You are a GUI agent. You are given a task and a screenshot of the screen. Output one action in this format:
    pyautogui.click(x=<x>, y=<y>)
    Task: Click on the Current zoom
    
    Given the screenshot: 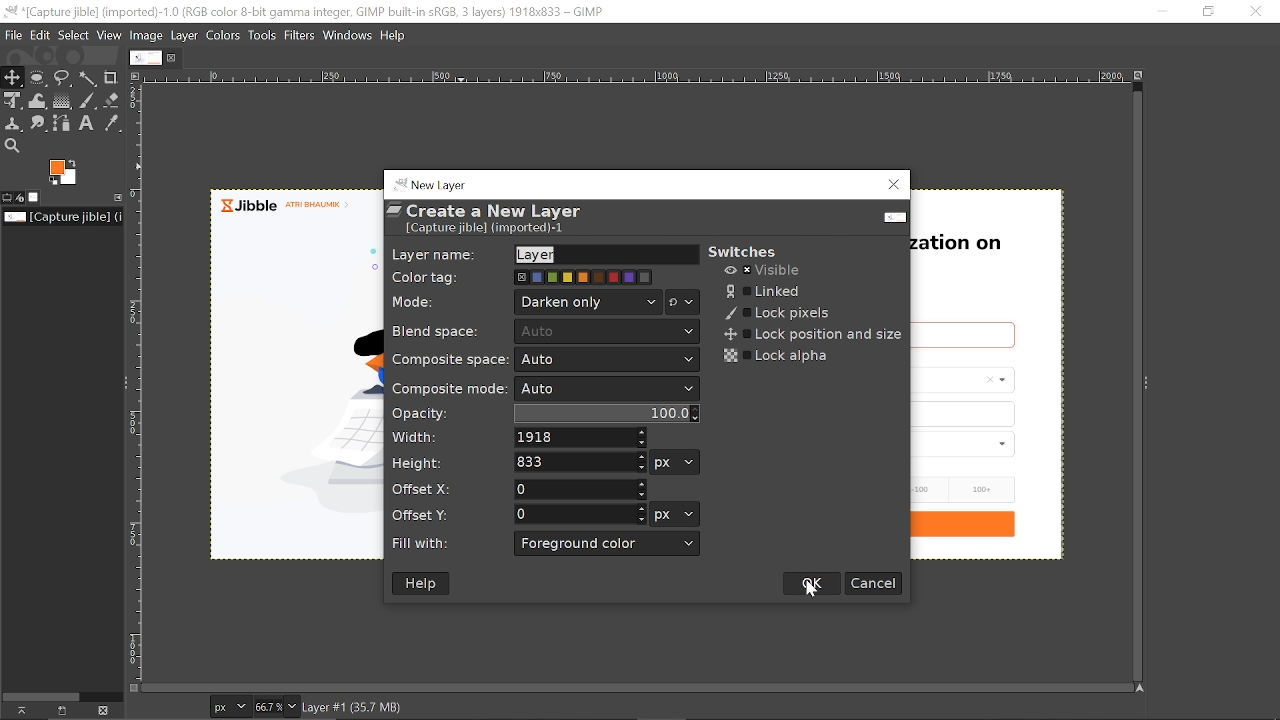 What is the action you would take?
    pyautogui.click(x=266, y=706)
    